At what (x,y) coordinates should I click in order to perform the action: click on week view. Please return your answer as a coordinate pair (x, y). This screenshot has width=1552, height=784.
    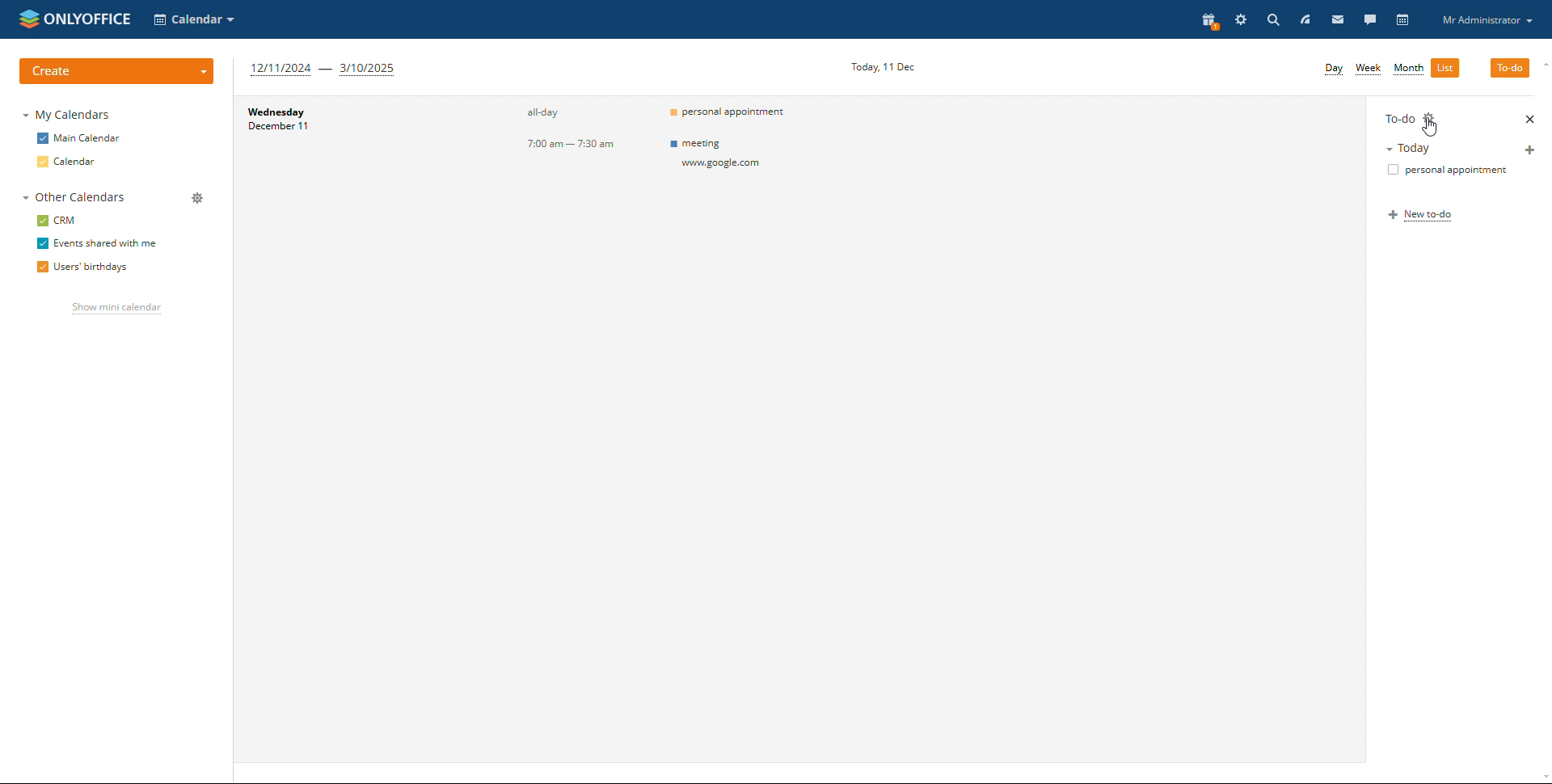
    Looking at the image, I should click on (1369, 70).